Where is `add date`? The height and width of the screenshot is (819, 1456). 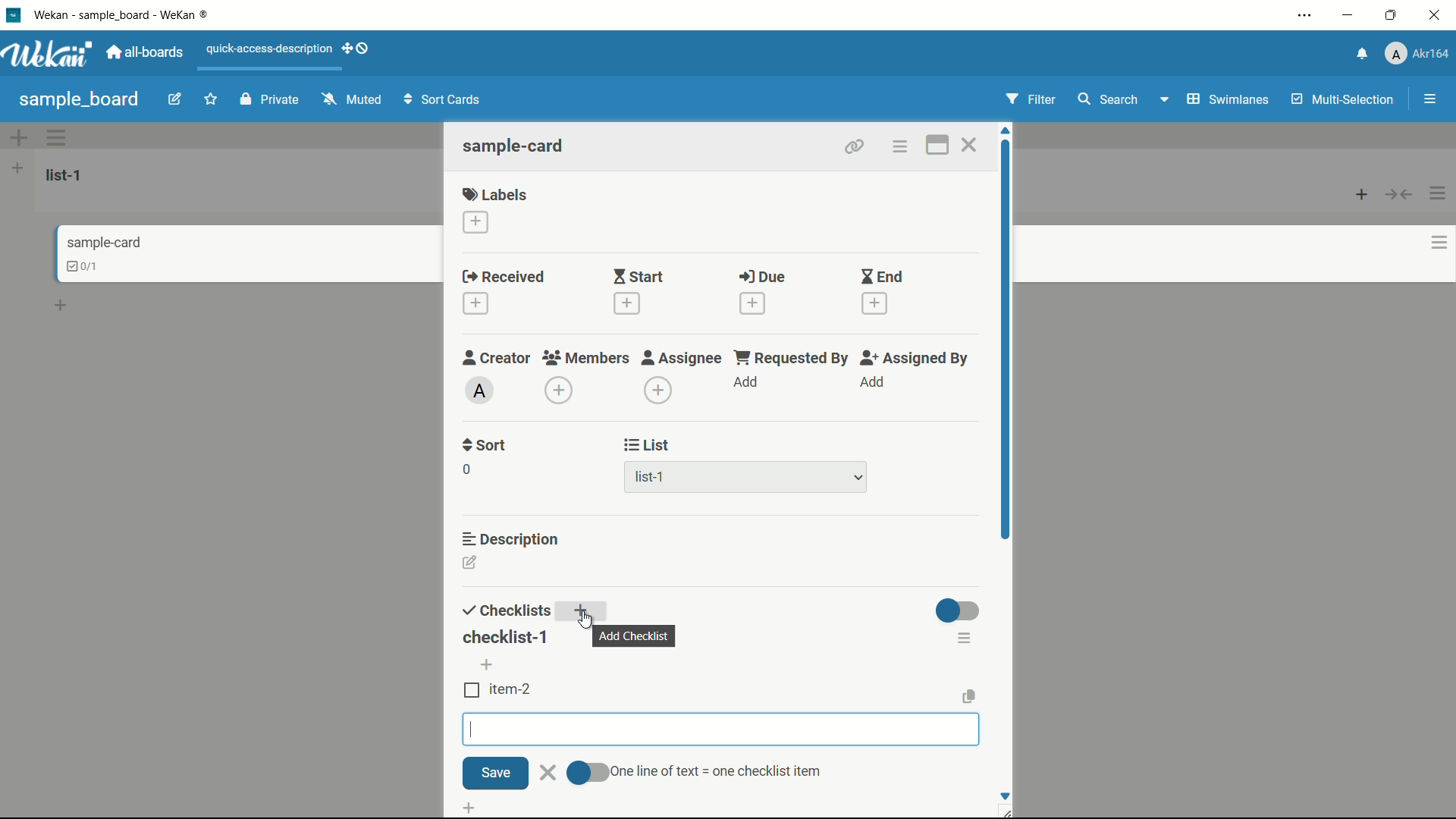
add date is located at coordinates (752, 303).